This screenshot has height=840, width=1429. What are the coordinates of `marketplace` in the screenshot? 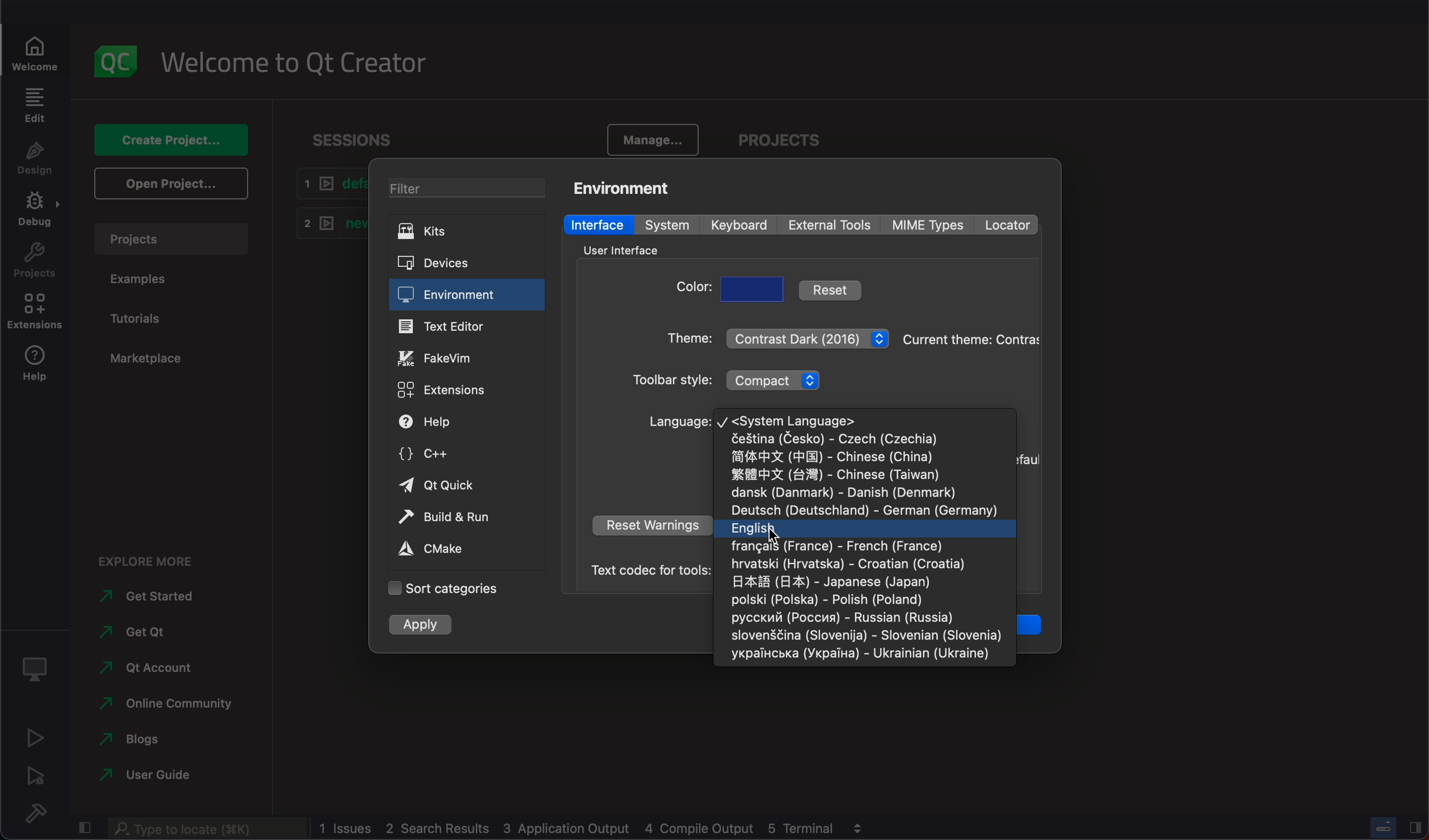 It's located at (148, 364).